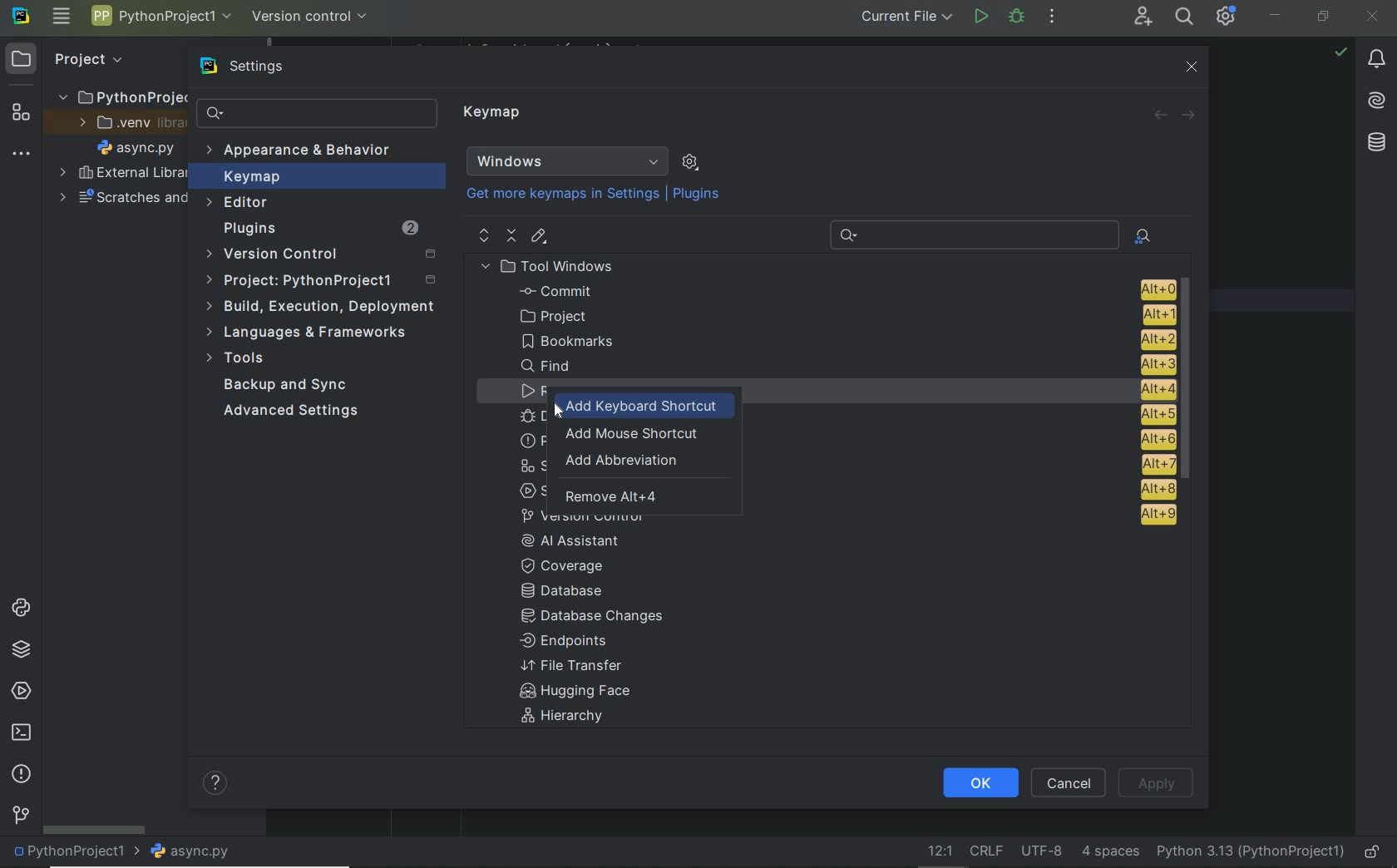  What do you see at coordinates (979, 783) in the screenshot?
I see `ok` at bounding box center [979, 783].